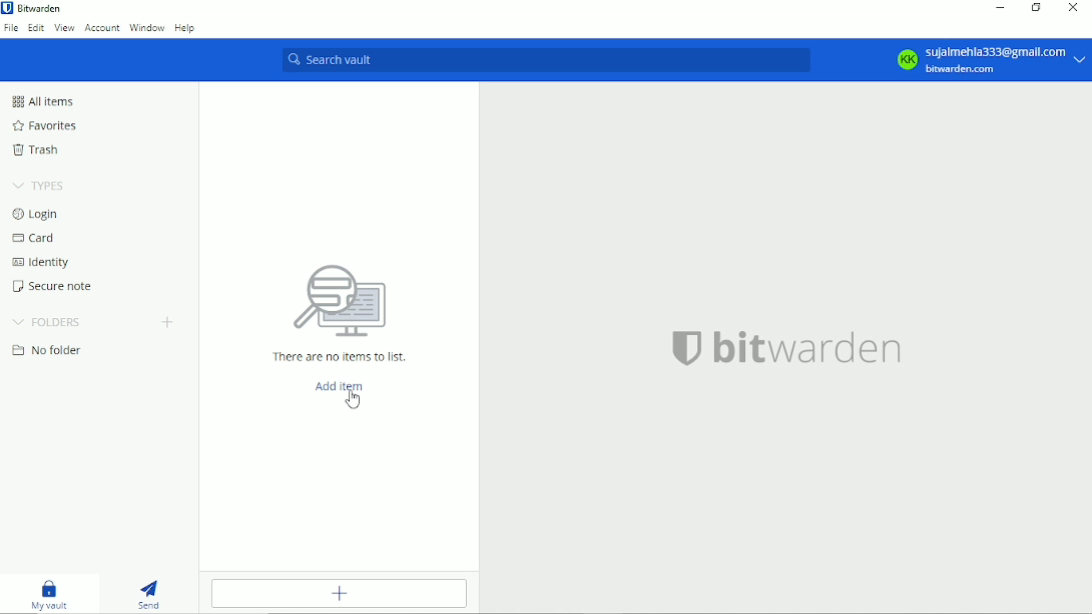  Describe the element at coordinates (544, 61) in the screenshot. I see `Search vault` at that location.